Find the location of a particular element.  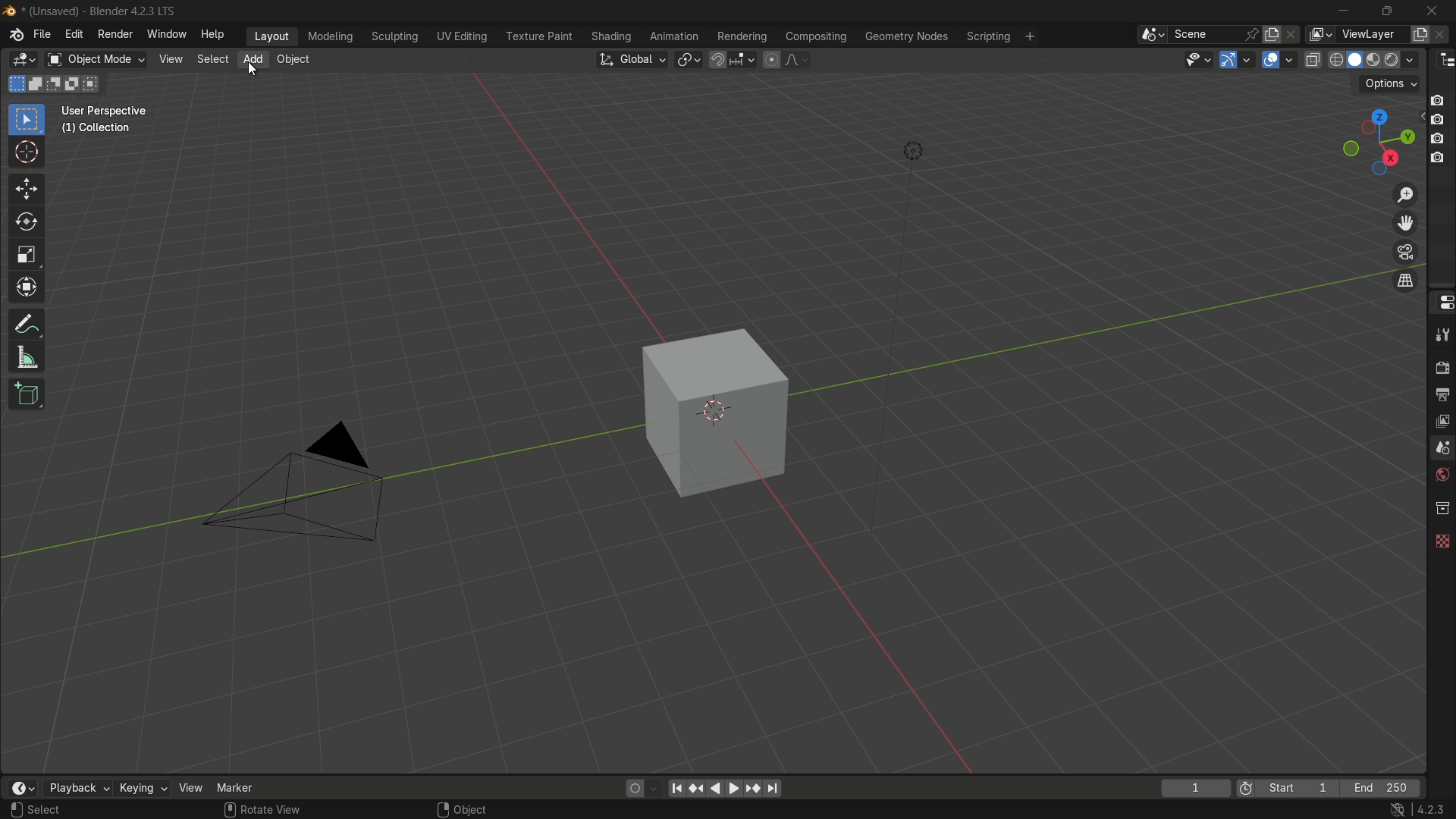

switch the current view is located at coordinates (1405, 283).